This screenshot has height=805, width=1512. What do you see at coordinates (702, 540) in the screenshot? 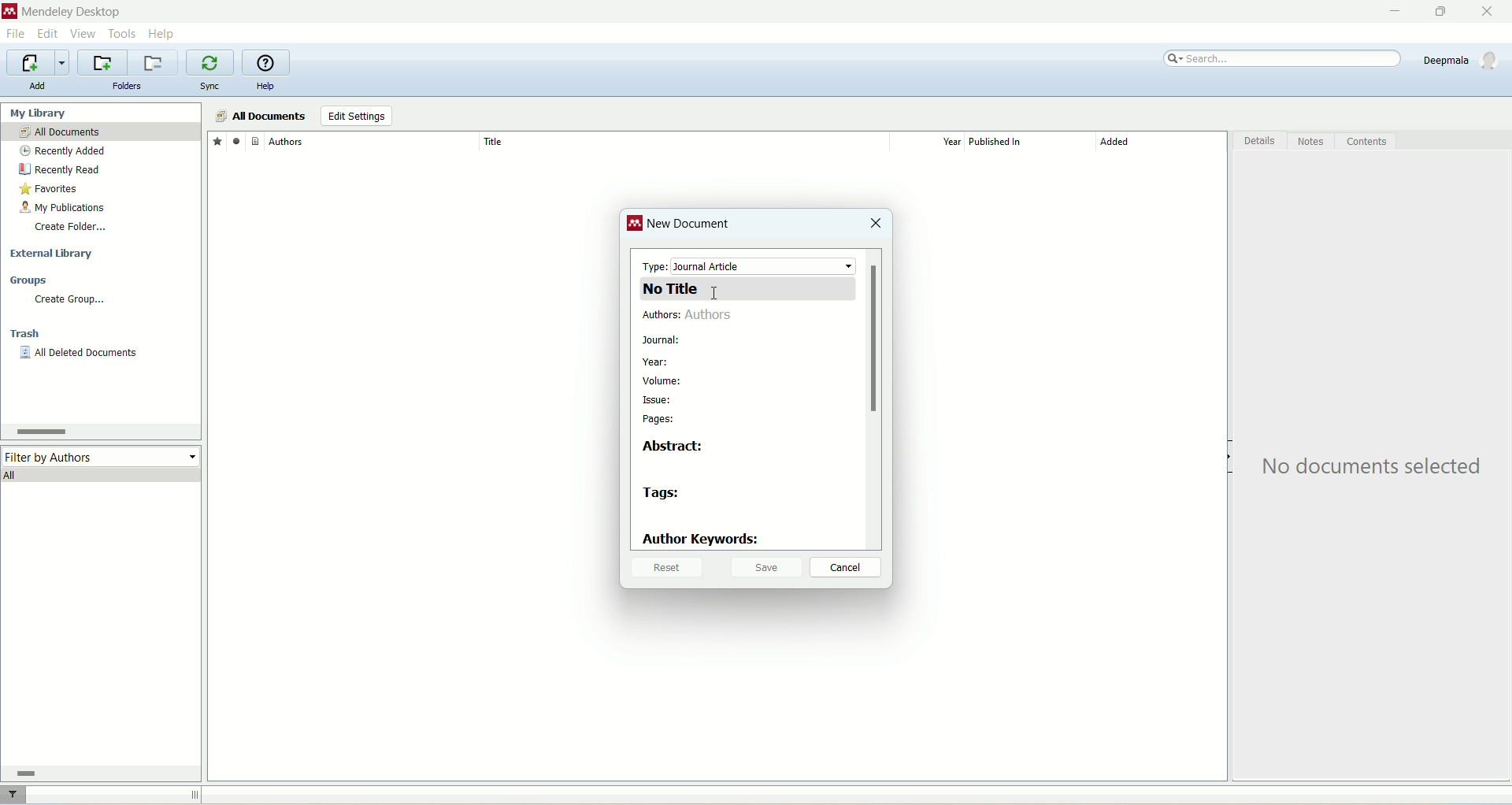
I see `author keywords` at bounding box center [702, 540].